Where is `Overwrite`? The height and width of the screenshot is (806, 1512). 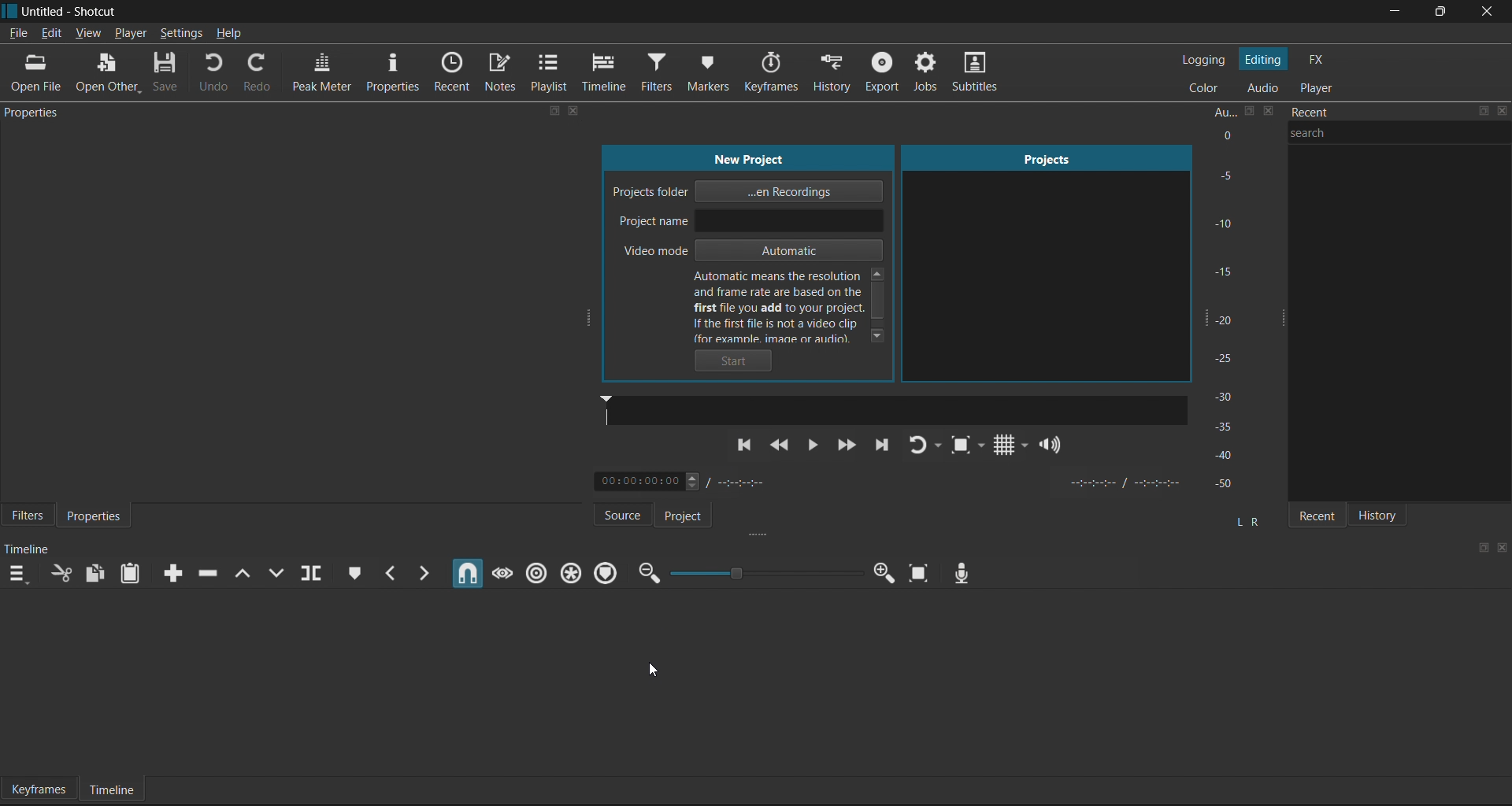
Overwrite is located at coordinates (283, 572).